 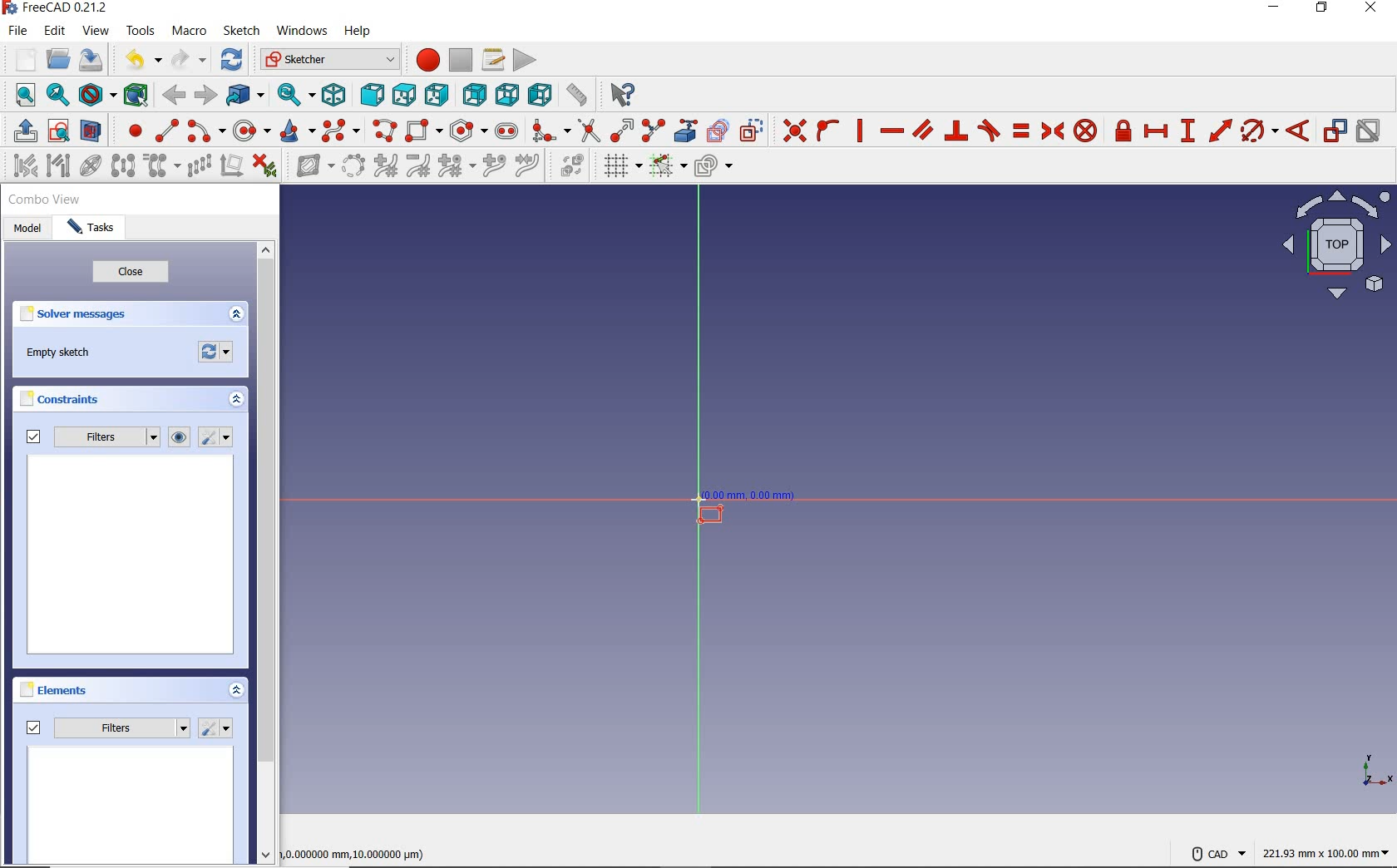 What do you see at coordinates (84, 692) in the screenshot?
I see `elements` at bounding box center [84, 692].